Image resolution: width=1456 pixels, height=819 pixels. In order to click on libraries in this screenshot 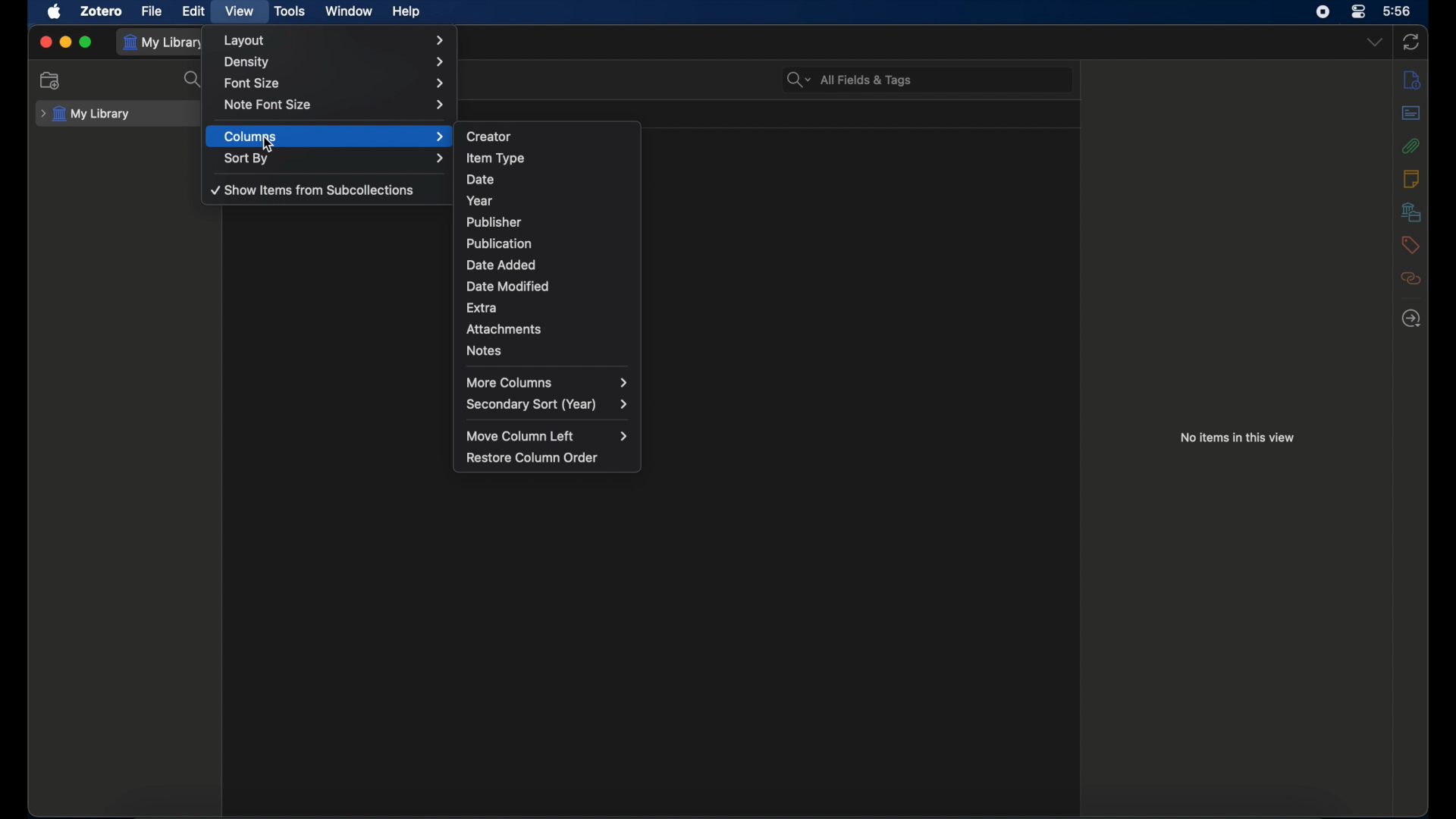, I will do `click(1410, 212)`.